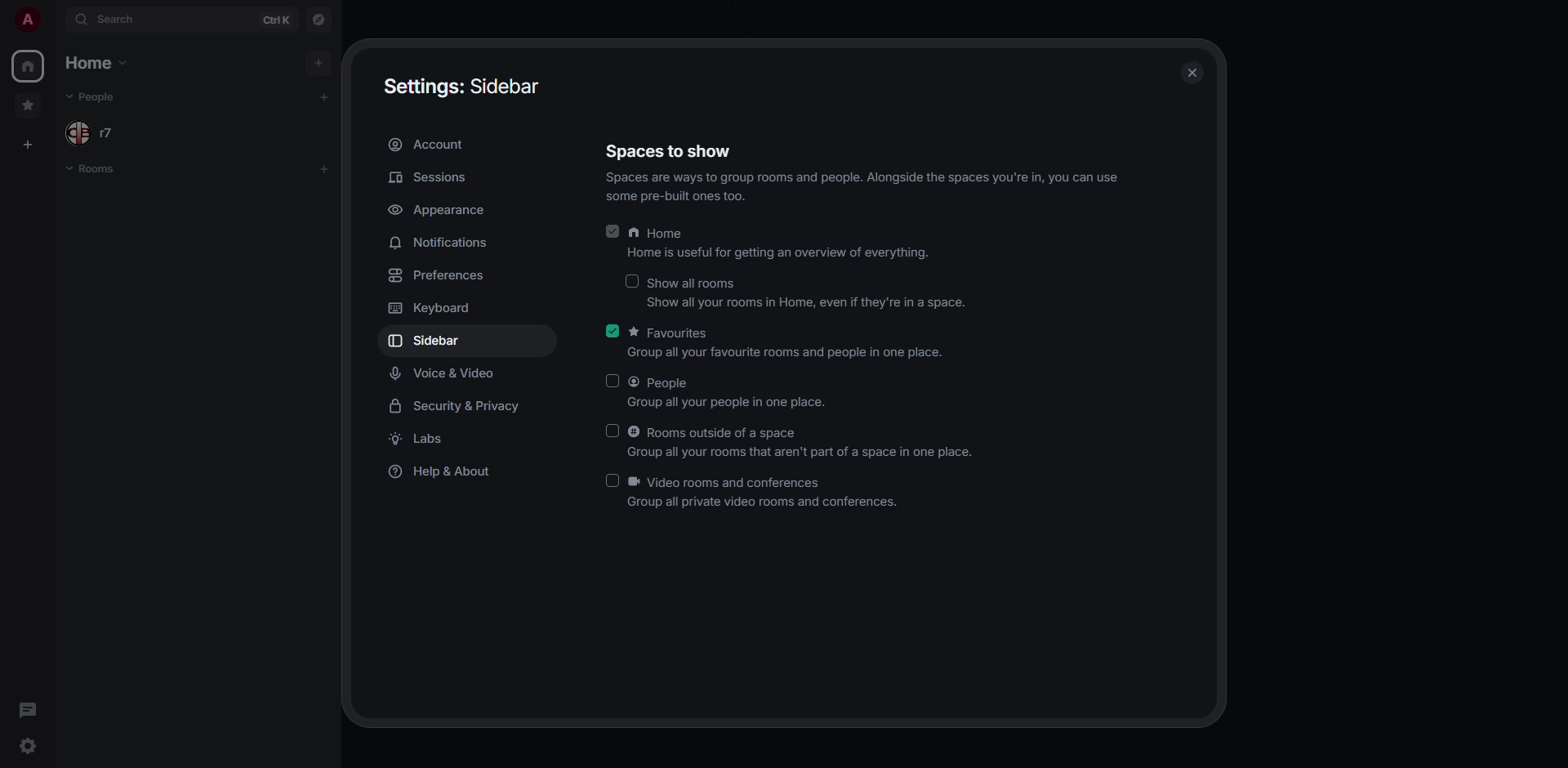 This screenshot has width=1568, height=768. I want to click on preferences, so click(442, 275).